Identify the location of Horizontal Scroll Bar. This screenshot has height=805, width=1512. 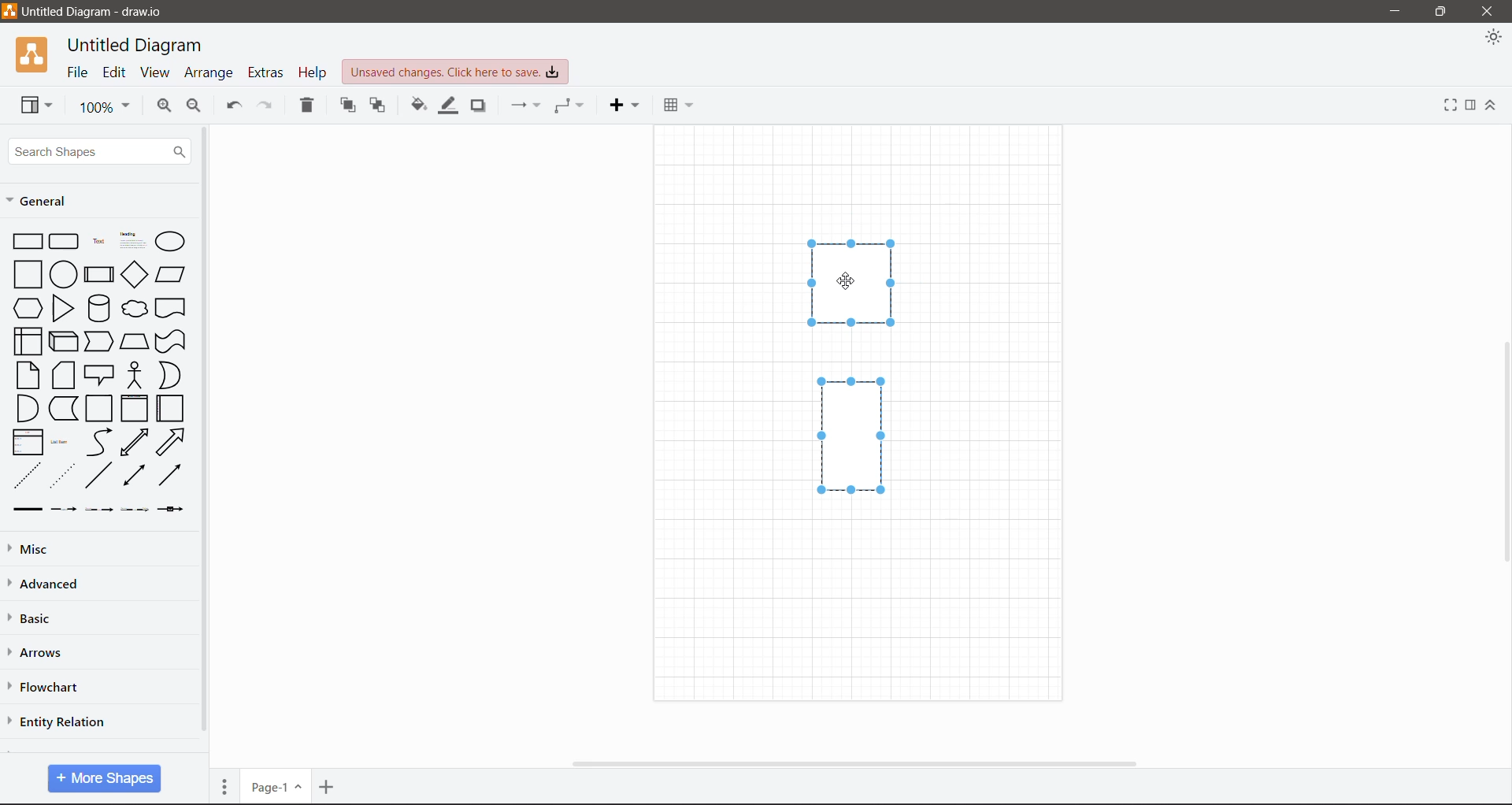
(861, 764).